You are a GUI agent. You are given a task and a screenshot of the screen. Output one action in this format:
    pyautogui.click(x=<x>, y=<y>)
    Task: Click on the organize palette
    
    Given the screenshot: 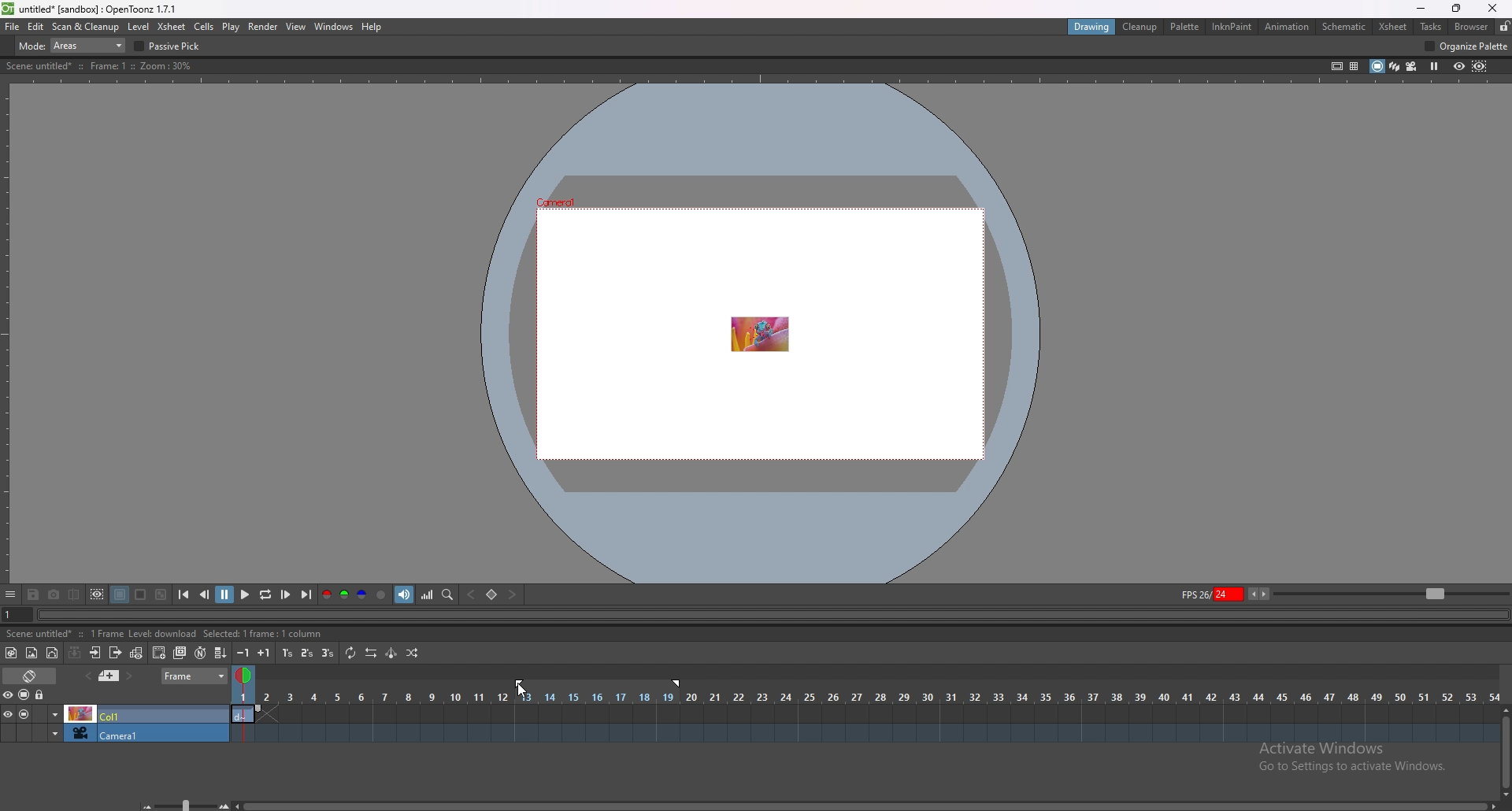 What is the action you would take?
    pyautogui.click(x=1467, y=46)
    